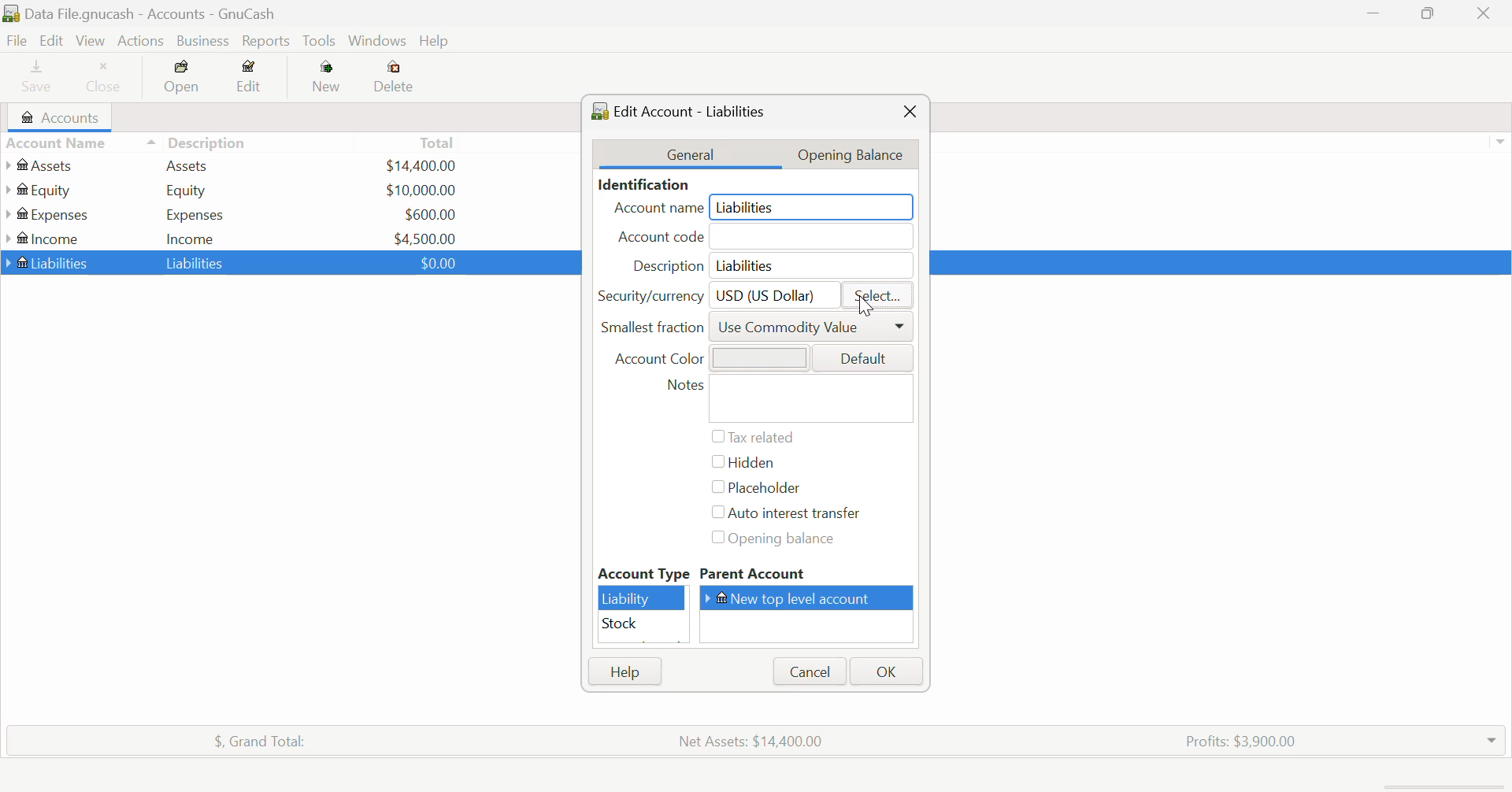  I want to click on Cancel, so click(808, 672).